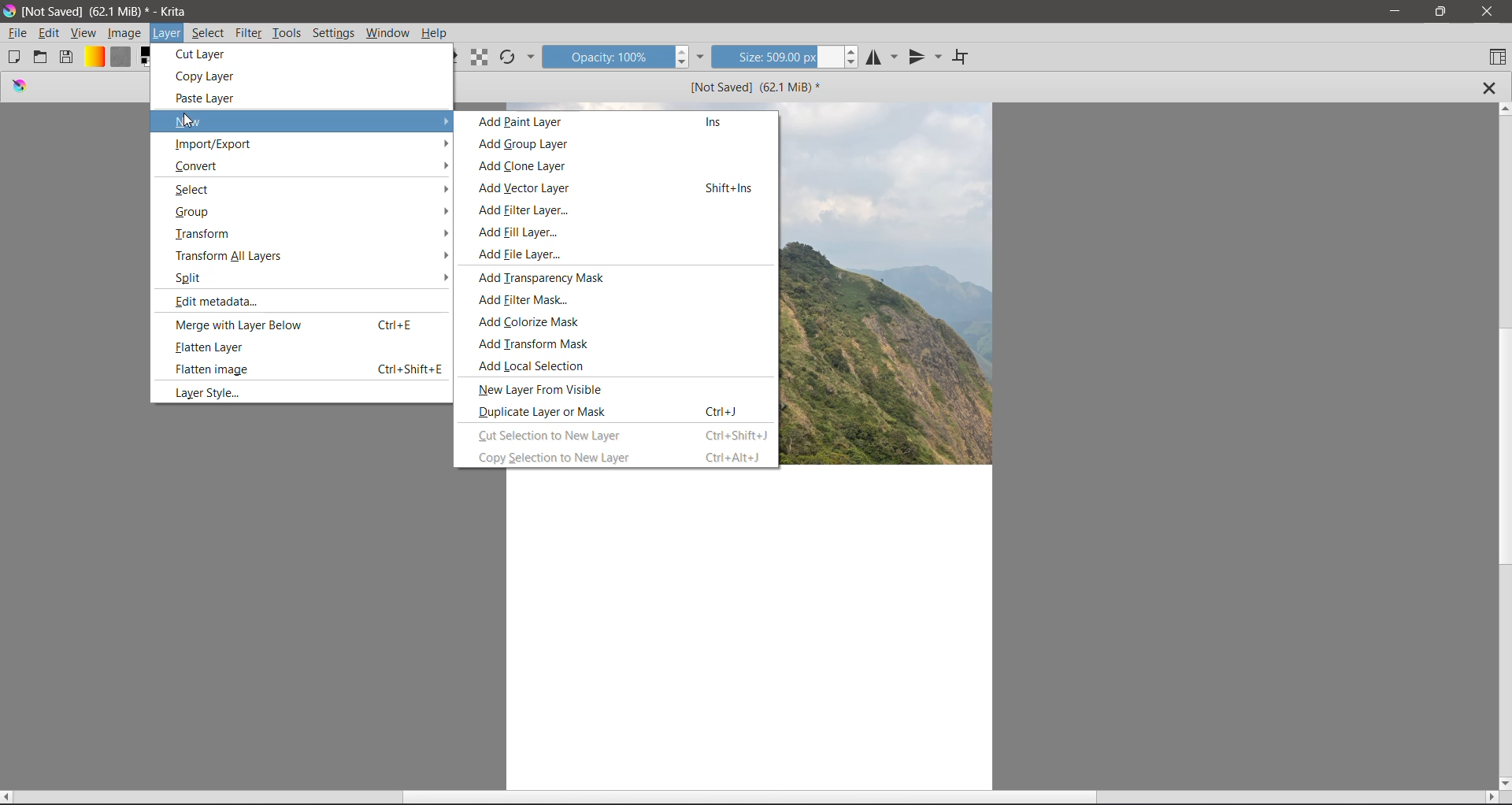  Describe the element at coordinates (224, 300) in the screenshot. I see `Edit Metadata` at that location.